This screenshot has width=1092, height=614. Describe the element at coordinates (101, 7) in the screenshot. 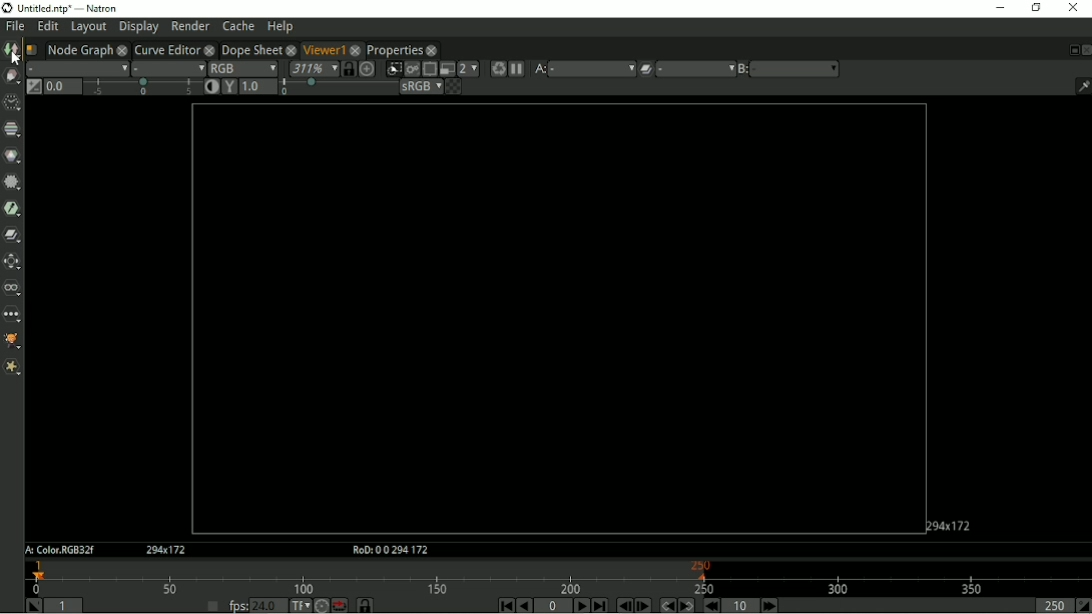

I see `title` at that location.